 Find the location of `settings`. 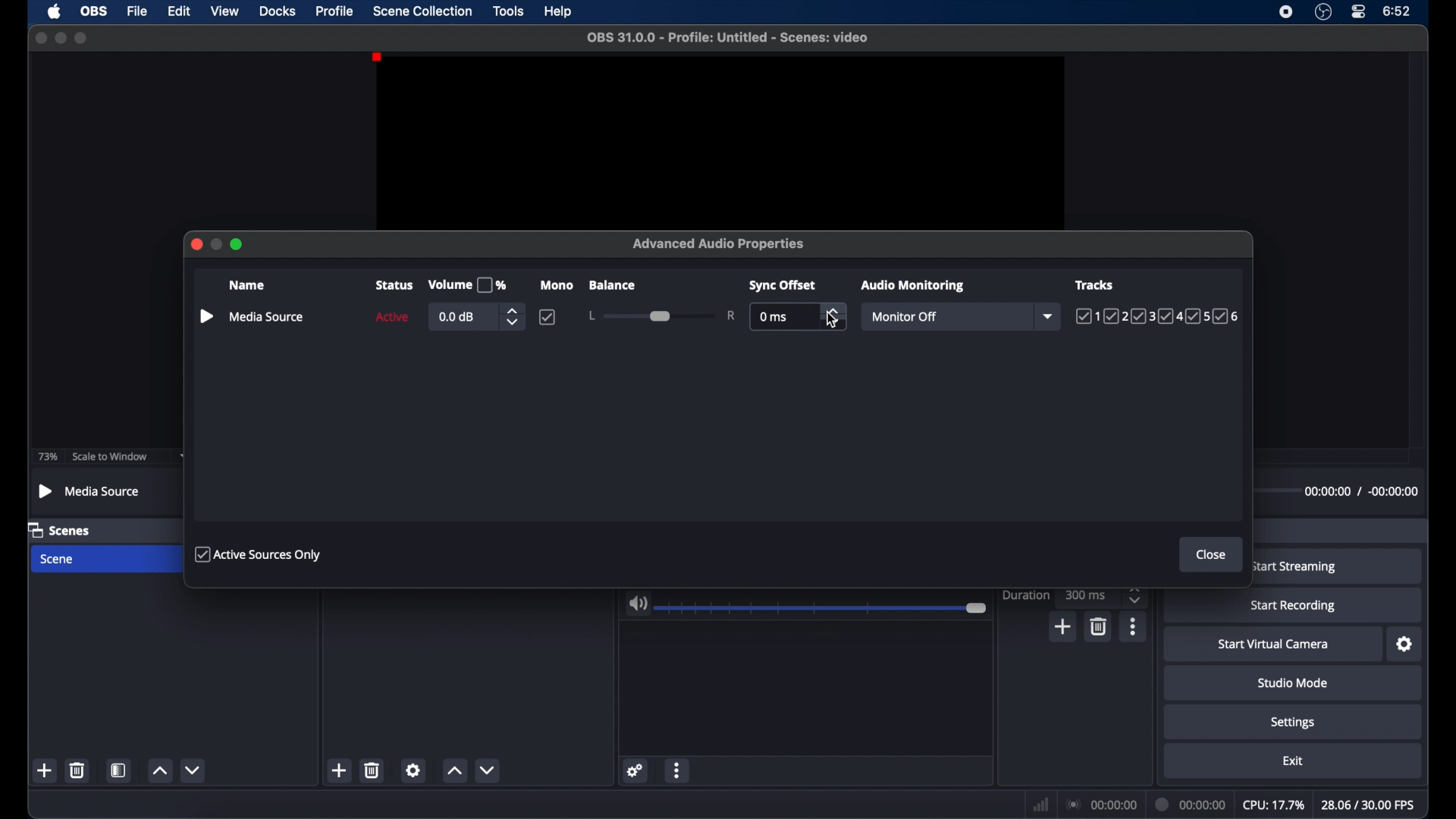

settings is located at coordinates (635, 771).